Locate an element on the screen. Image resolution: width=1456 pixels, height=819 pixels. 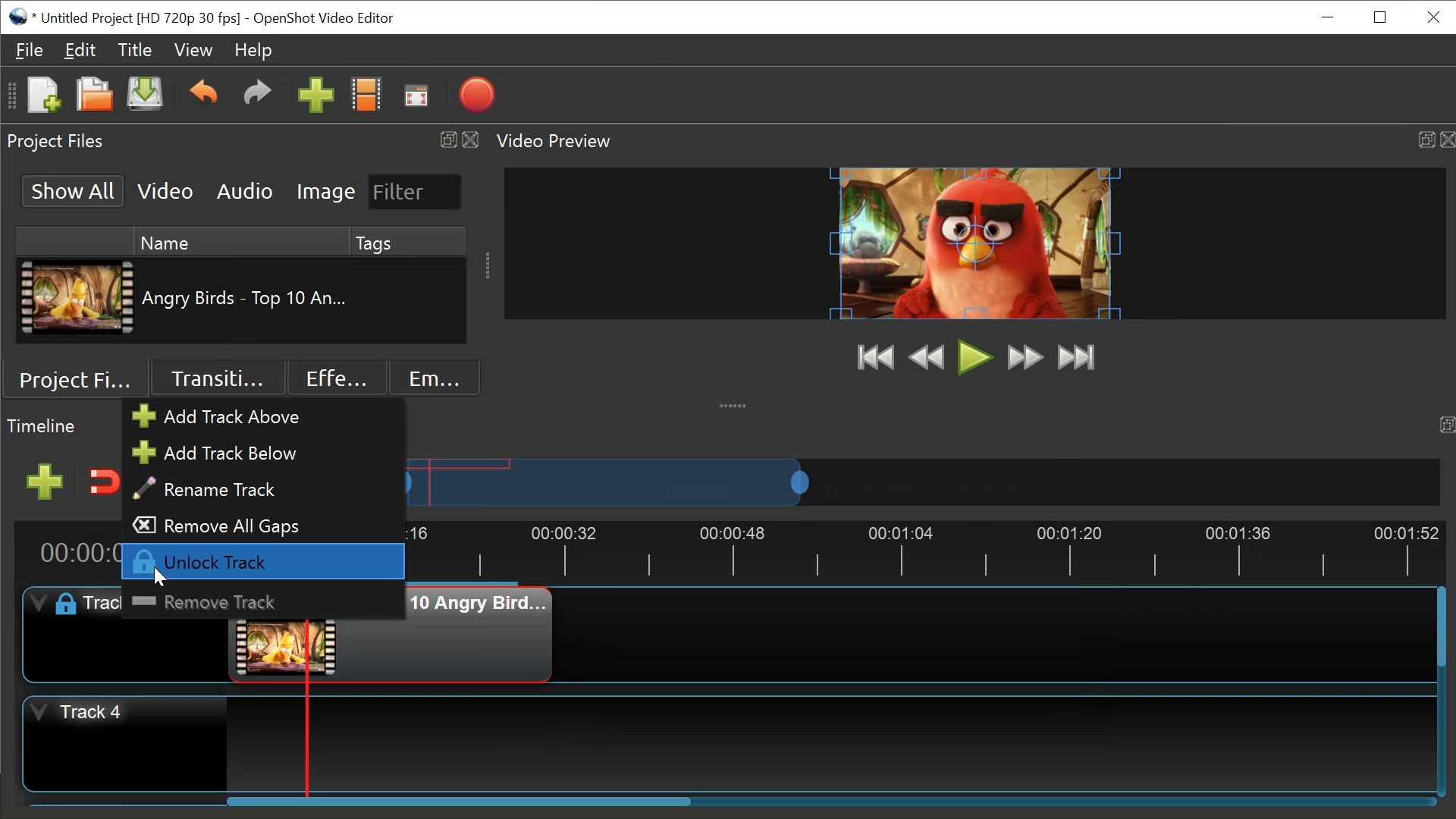
Rewind is located at coordinates (927, 358).